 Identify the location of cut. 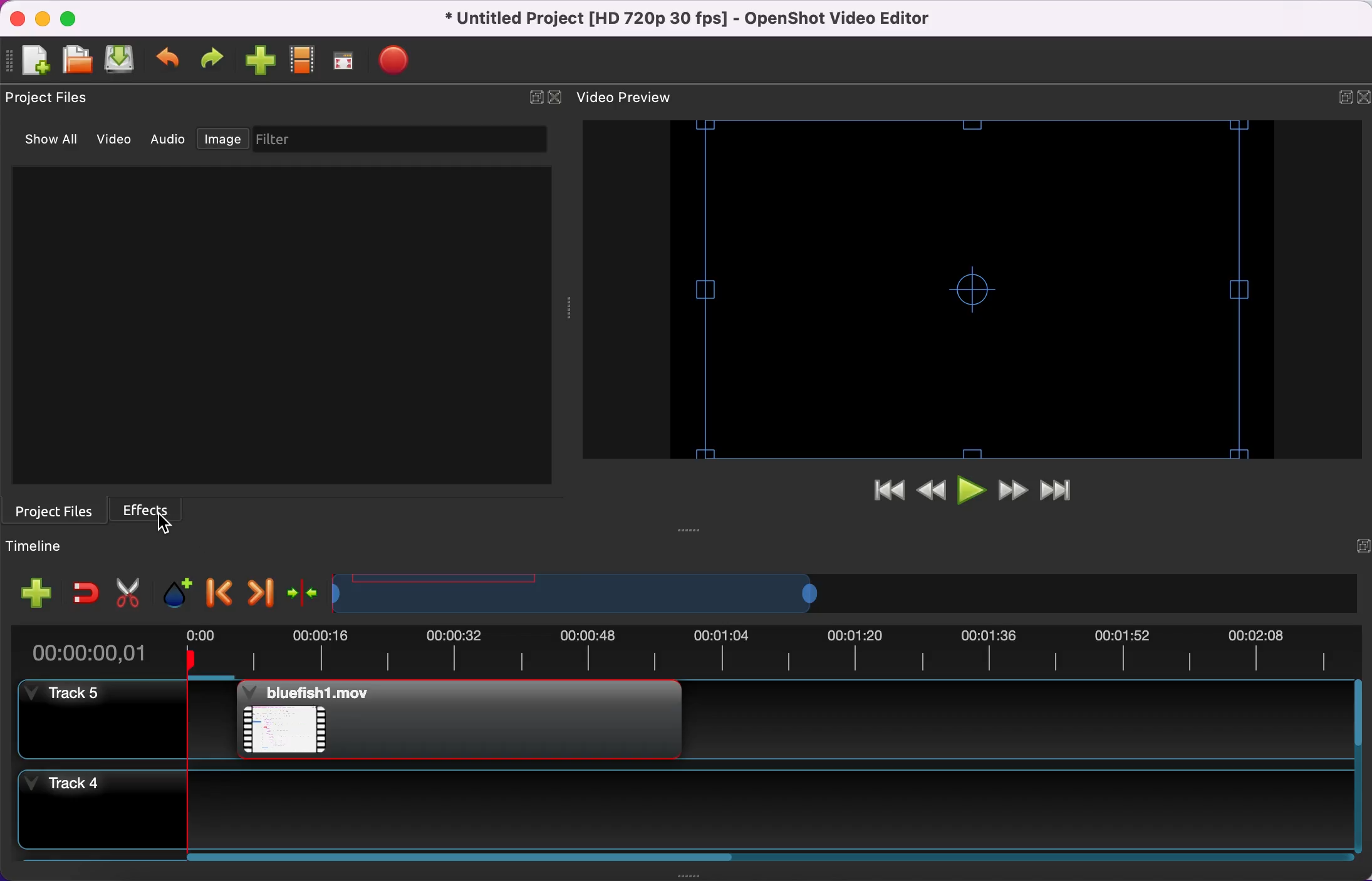
(127, 591).